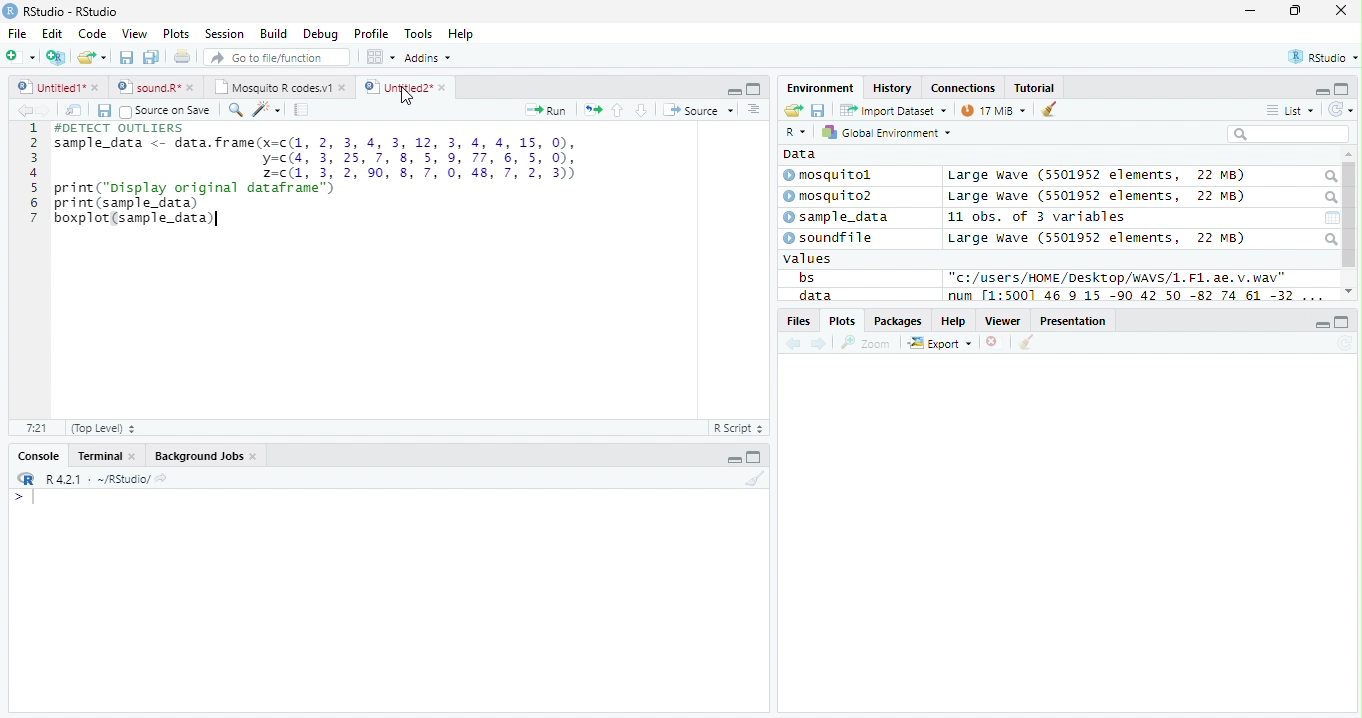 The image size is (1362, 718). What do you see at coordinates (58, 87) in the screenshot?
I see `Untitied1*` at bounding box center [58, 87].